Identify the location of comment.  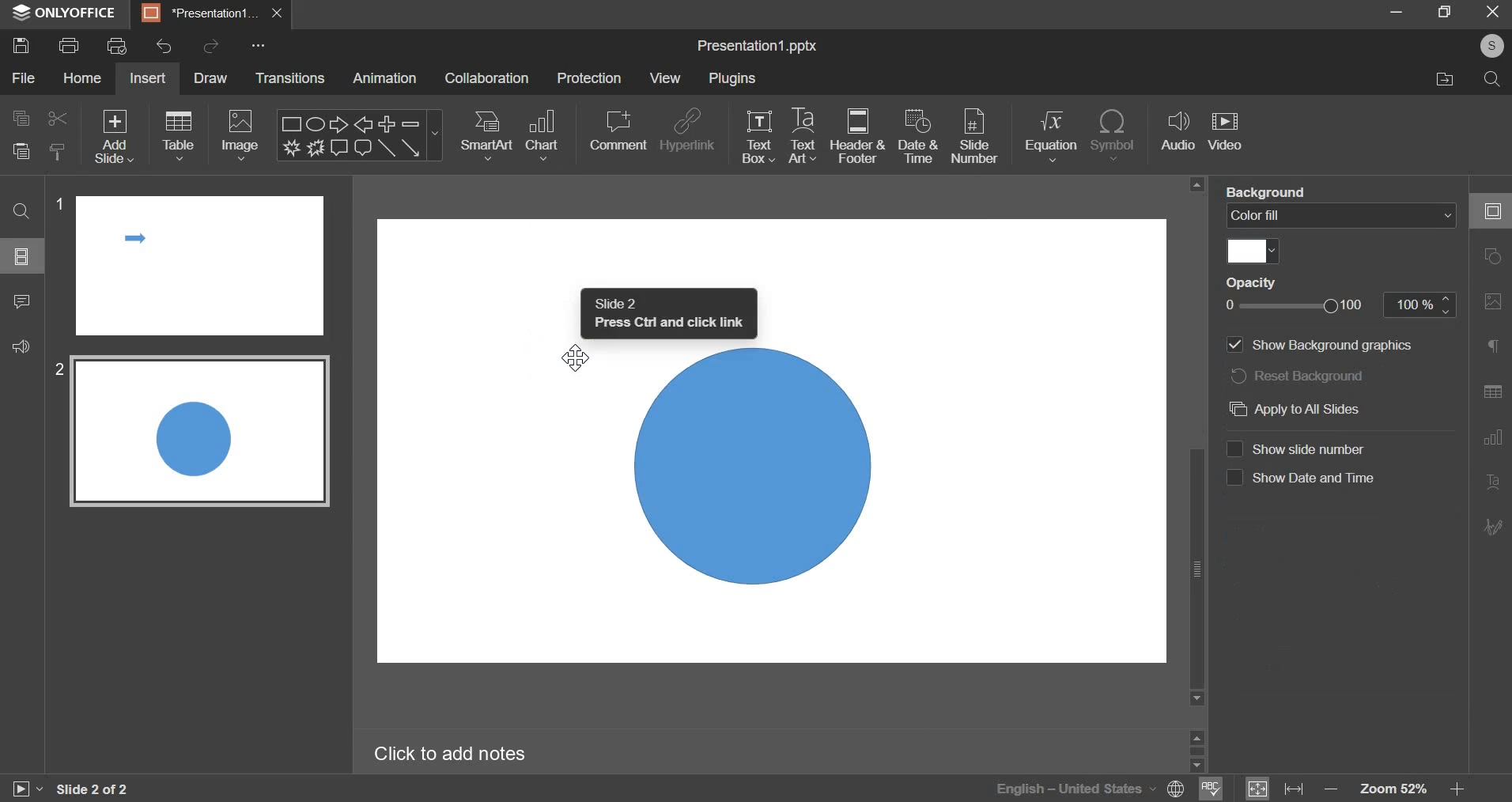
(619, 131).